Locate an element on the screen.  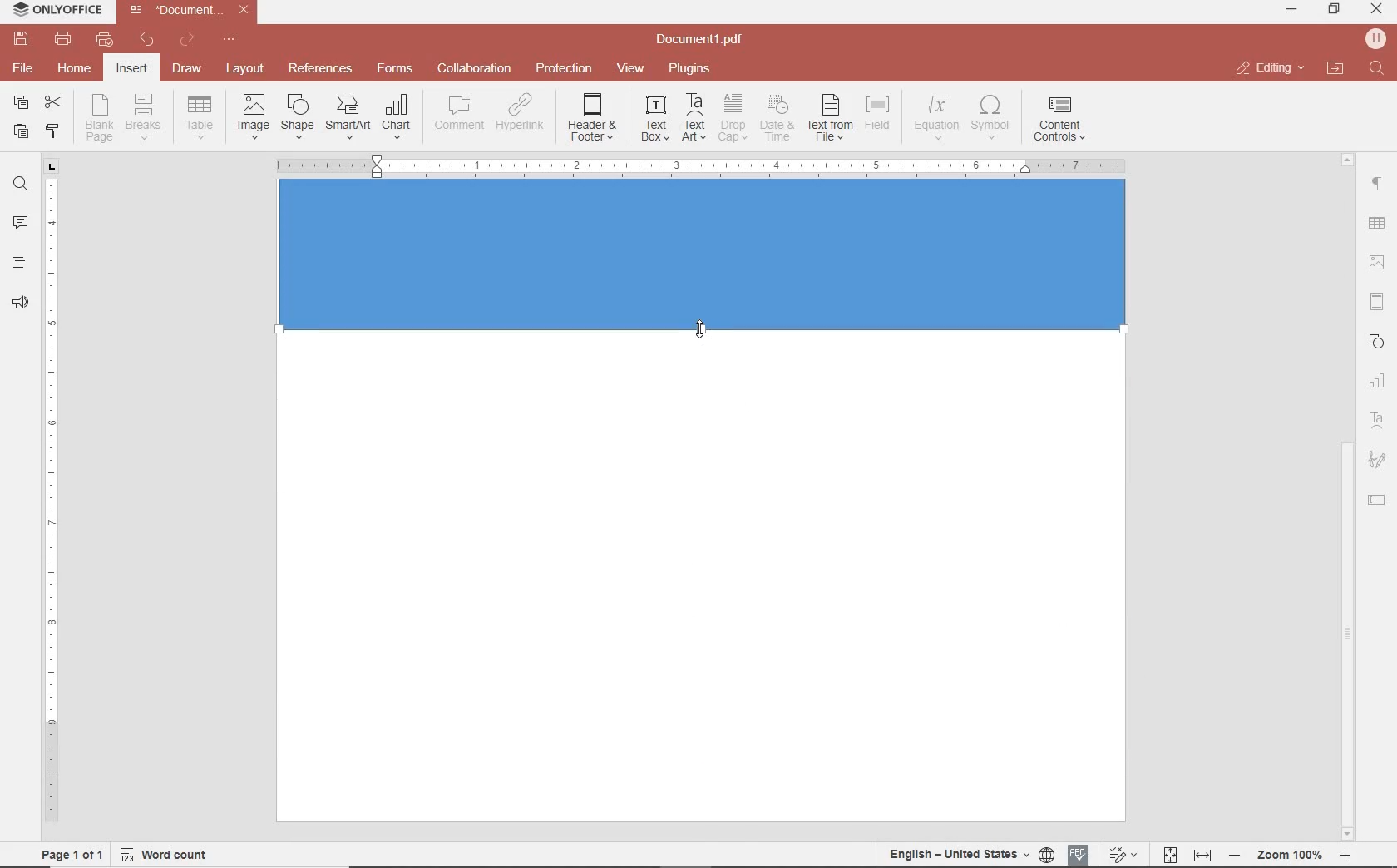
 is located at coordinates (699, 166).